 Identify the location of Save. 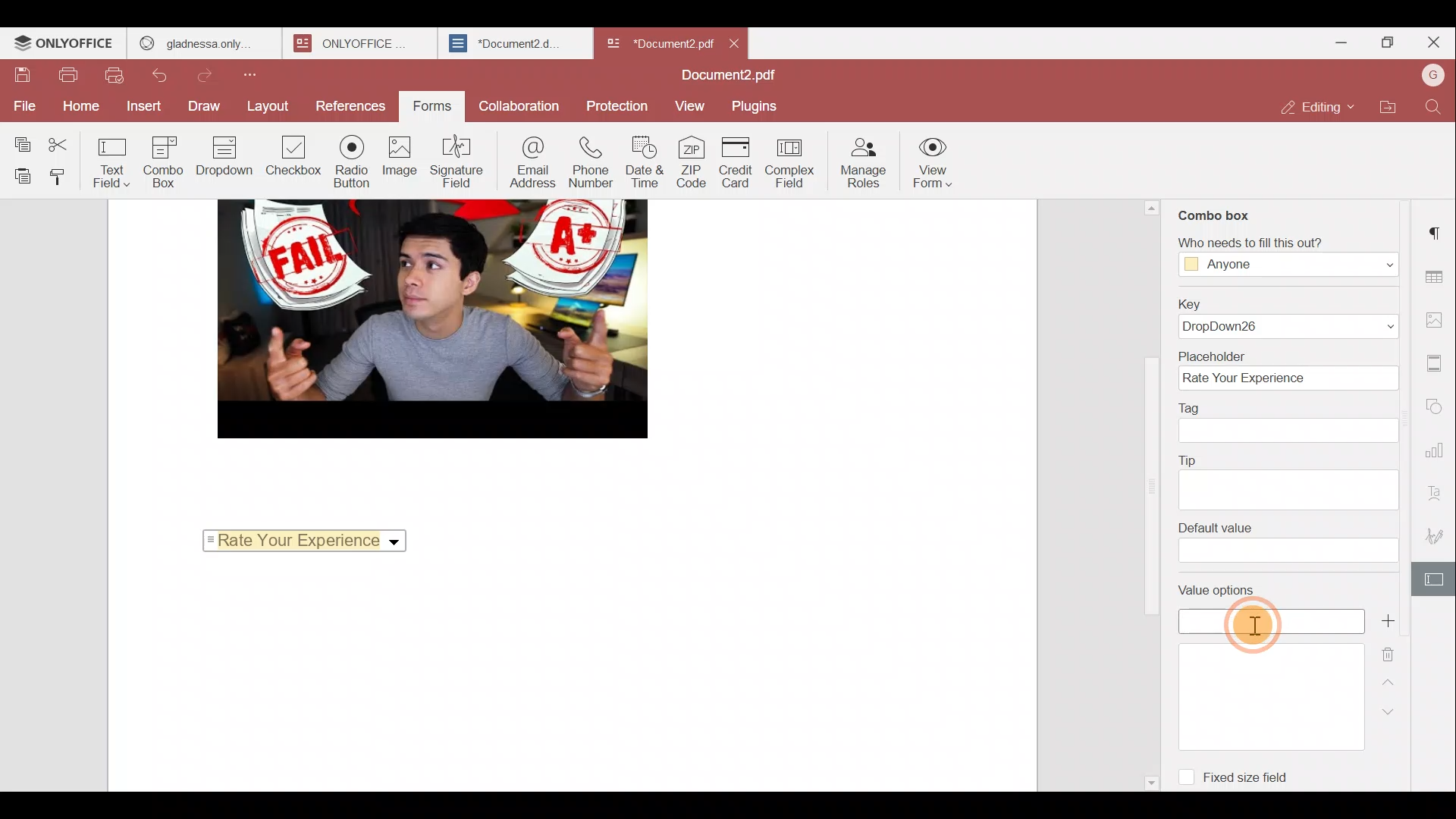
(23, 76).